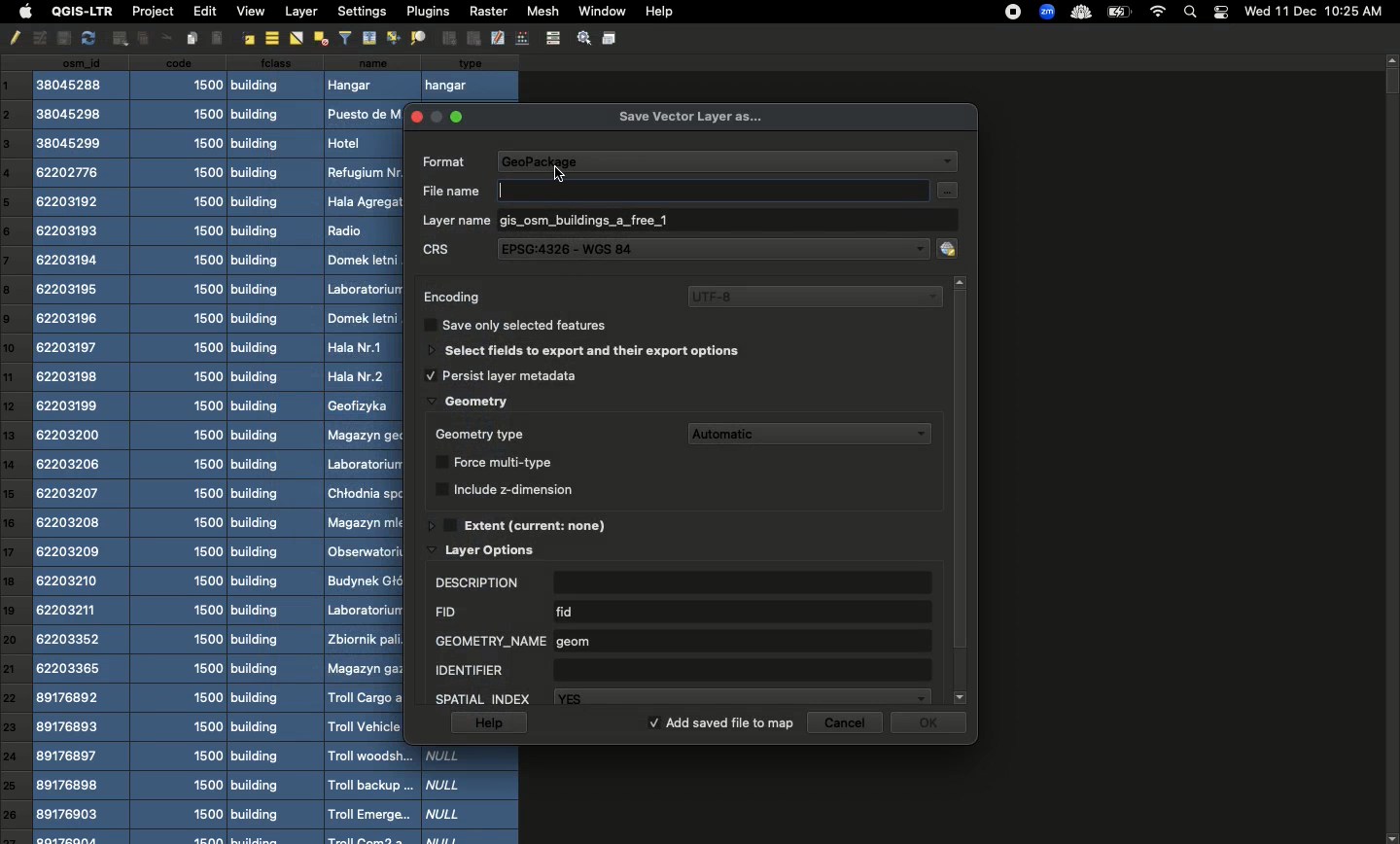 This screenshot has height=844, width=1400. Describe the element at coordinates (220, 37) in the screenshot. I see `Align Left` at that location.